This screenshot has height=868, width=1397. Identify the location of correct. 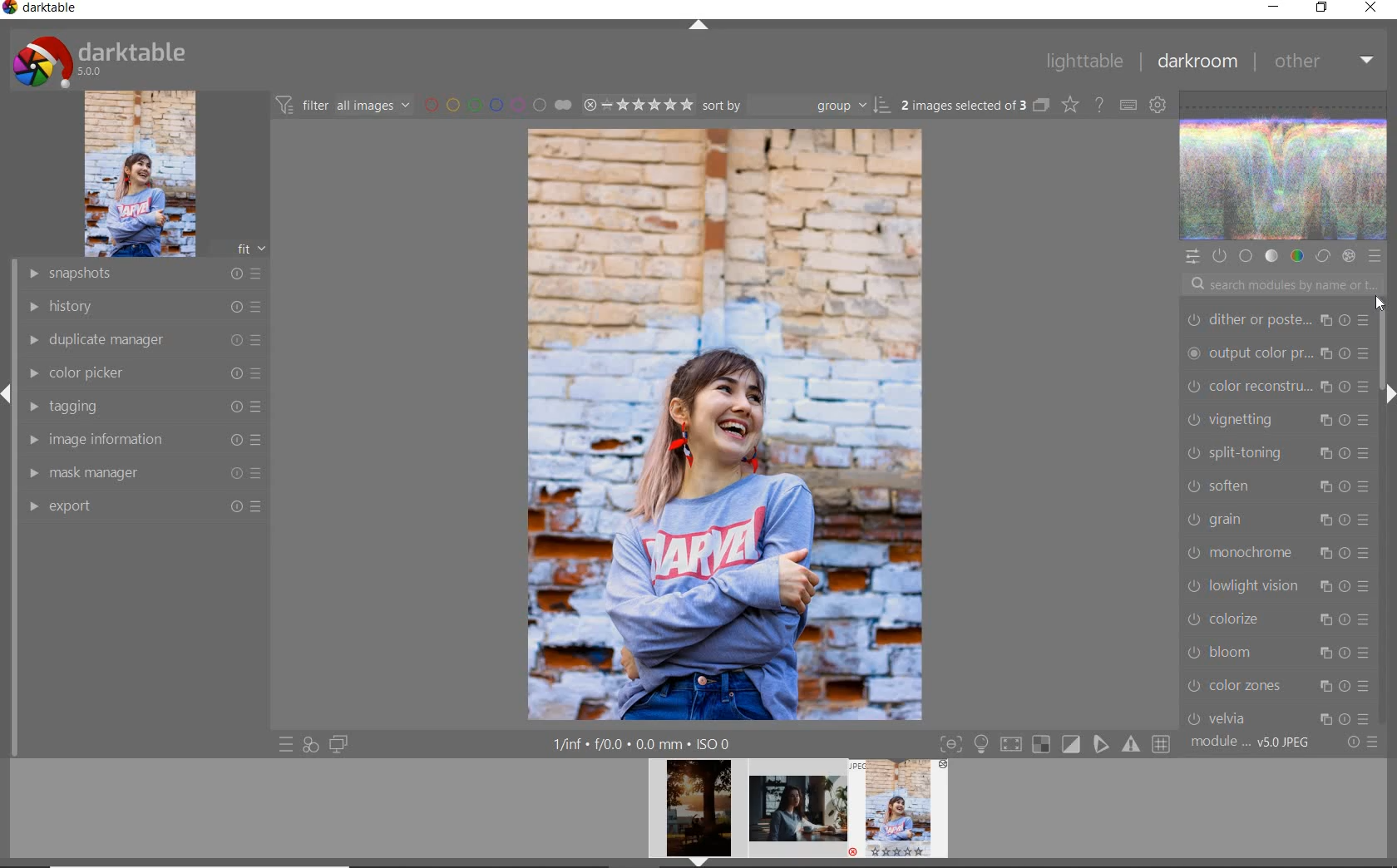
(1323, 257).